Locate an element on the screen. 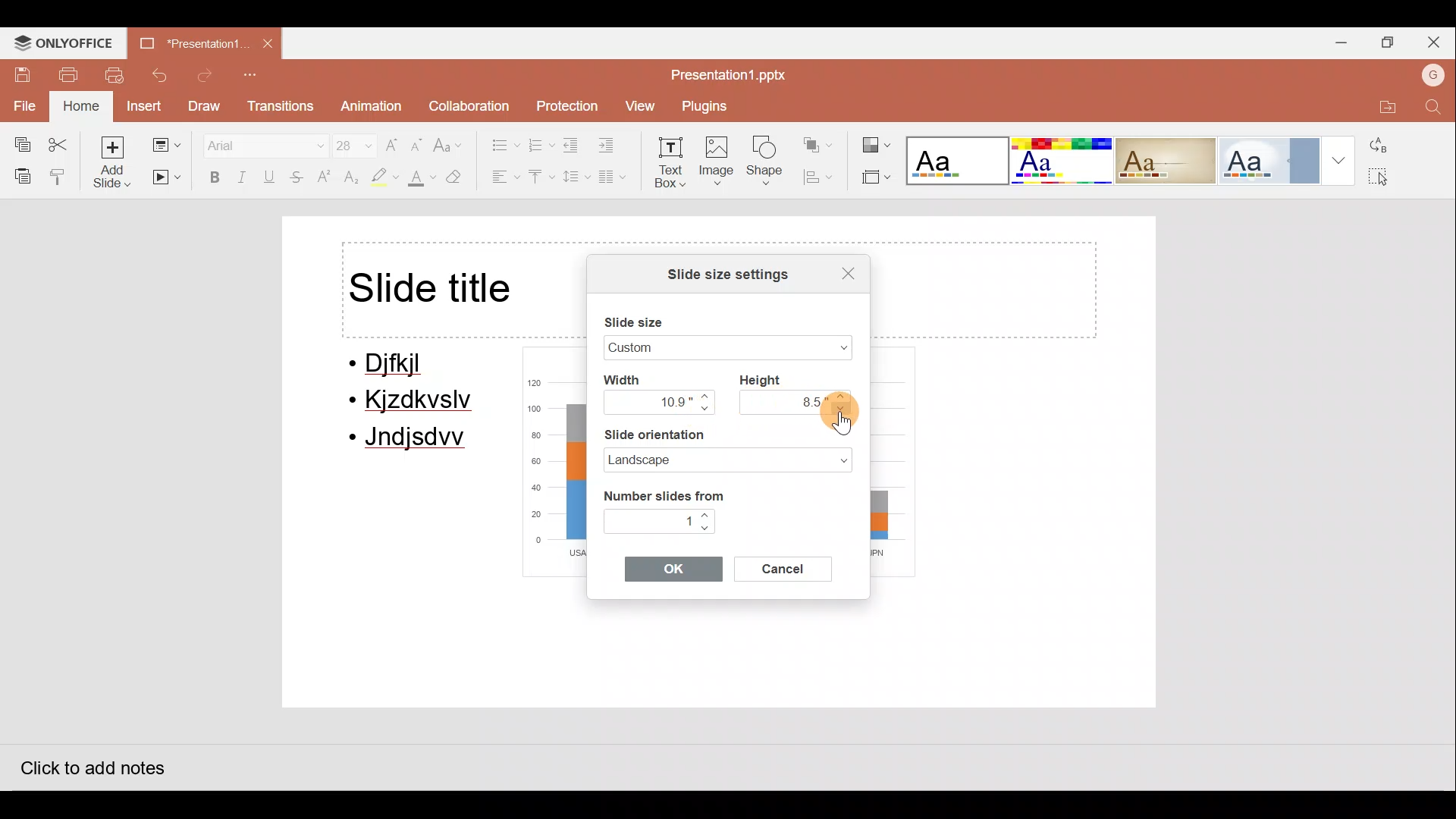 The height and width of the screenshot is (819, 1456). Decrease font size is located at coordinates (419, 140).